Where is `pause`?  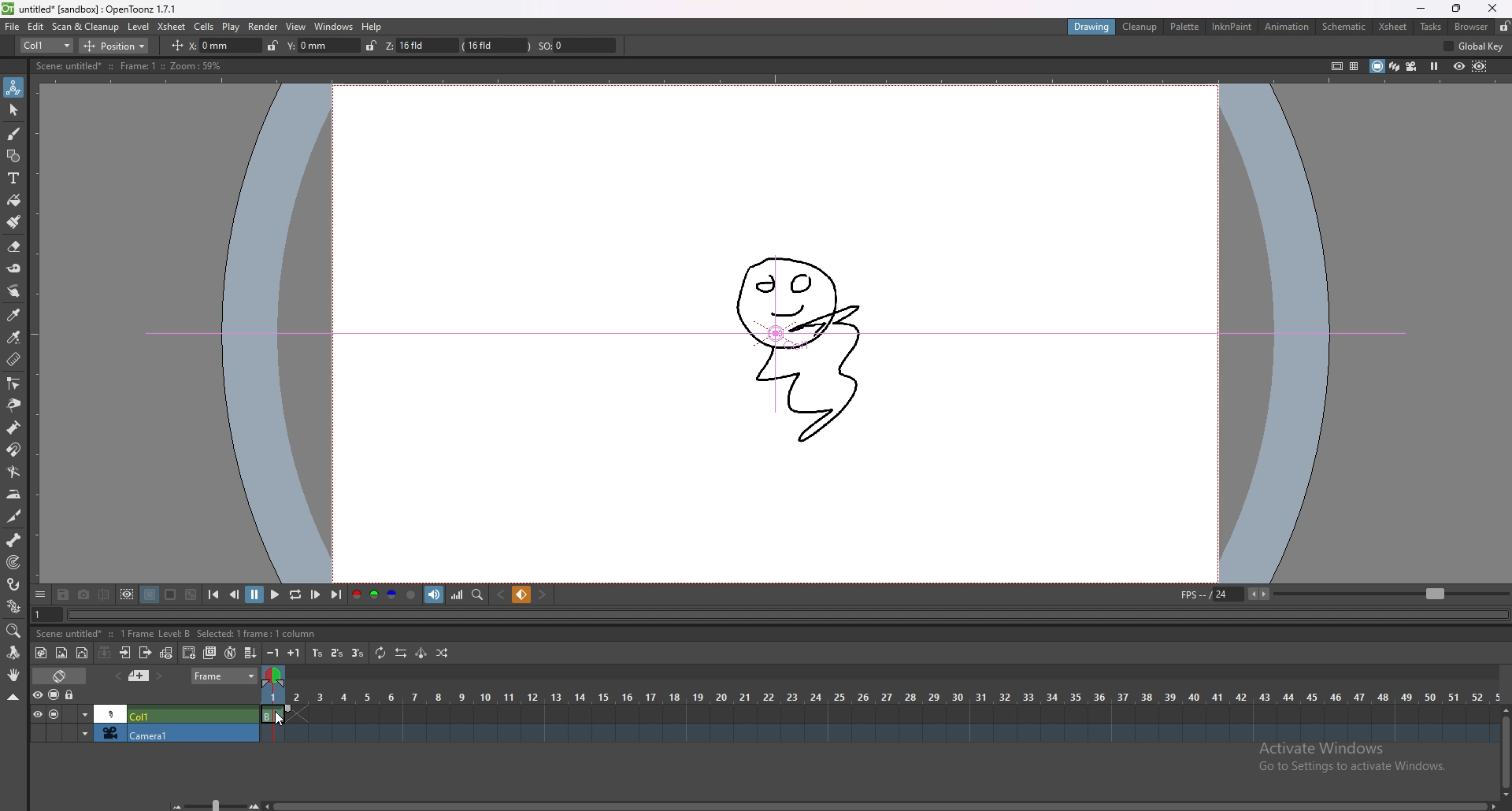
pause is located at coordinates (254, 594).